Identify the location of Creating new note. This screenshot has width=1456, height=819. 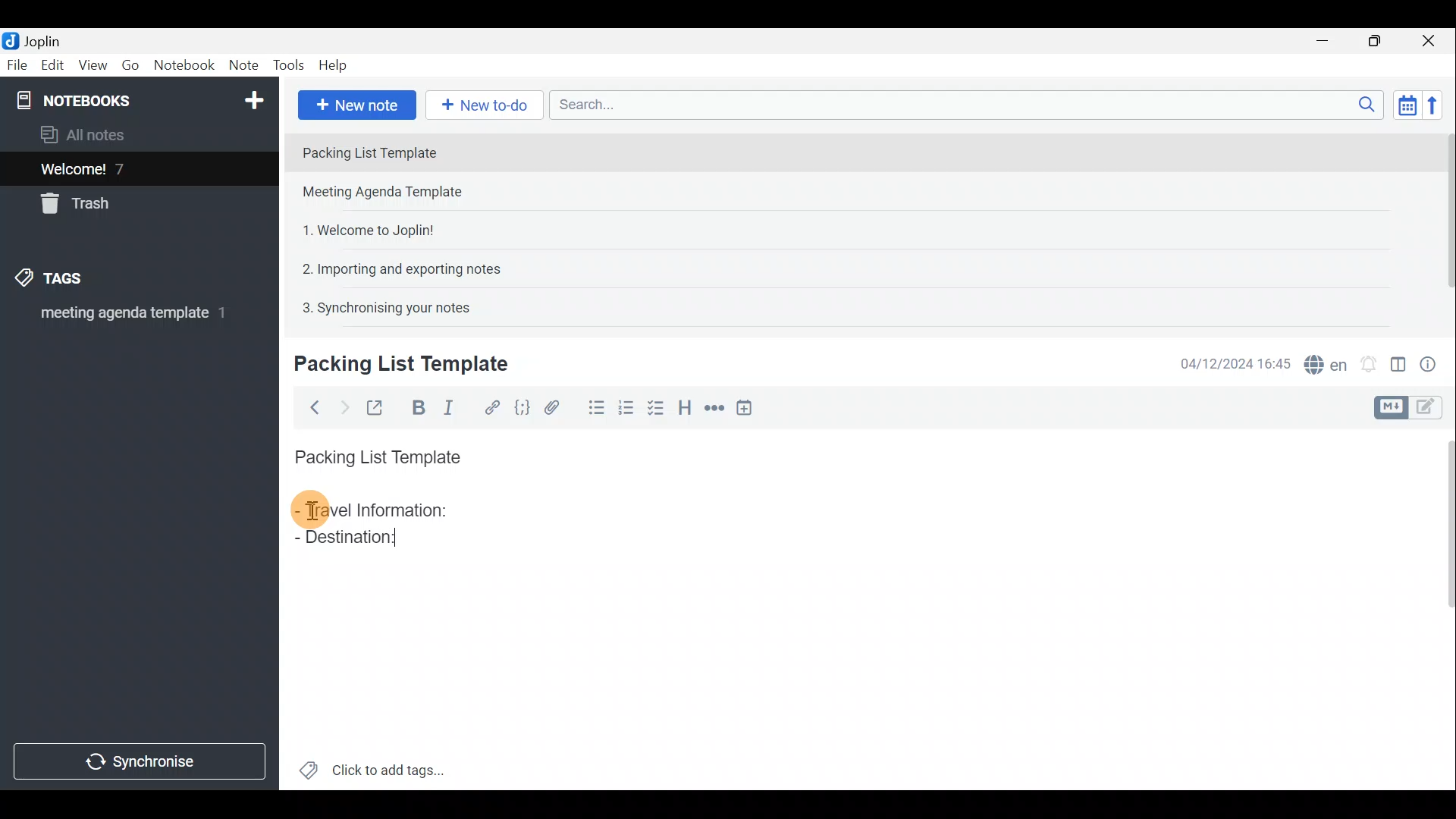
(392, 365).